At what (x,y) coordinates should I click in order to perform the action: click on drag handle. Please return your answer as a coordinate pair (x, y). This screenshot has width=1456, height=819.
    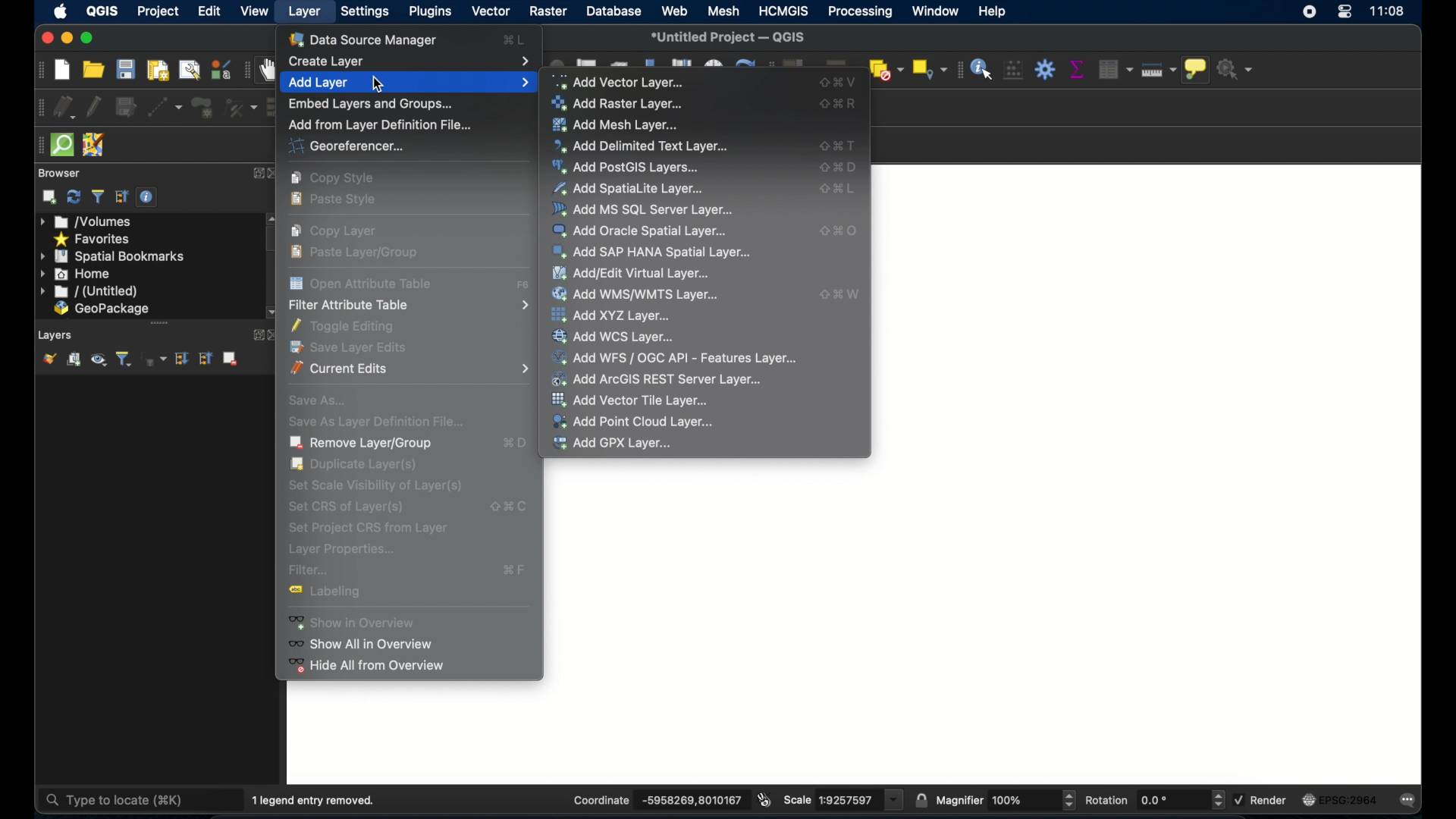
    Looking at the image, I should click on (35, 145).